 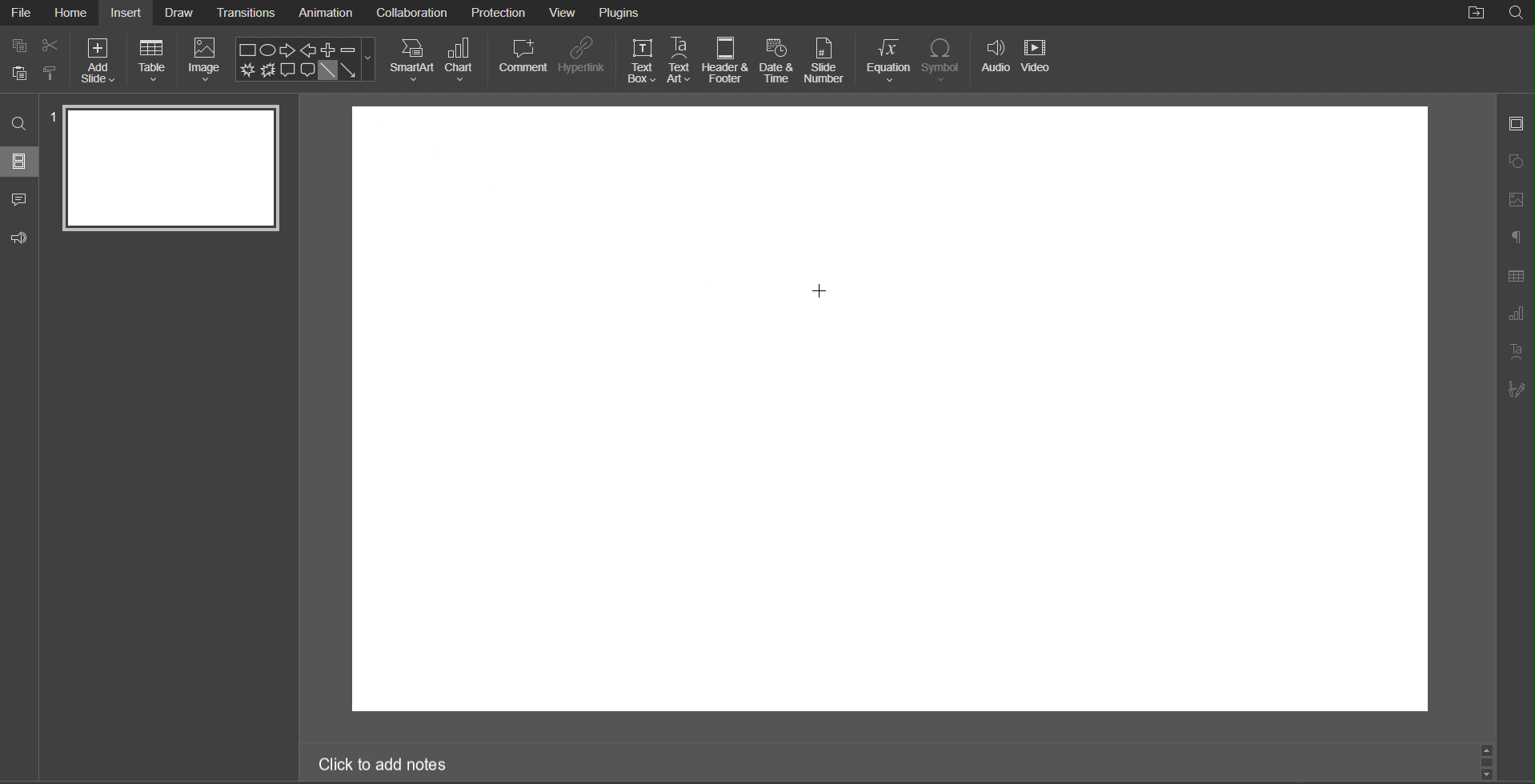 What do you see at coordinates (72, 12) in the screenshot?
I see `Home` at bounding box center [72, 12].